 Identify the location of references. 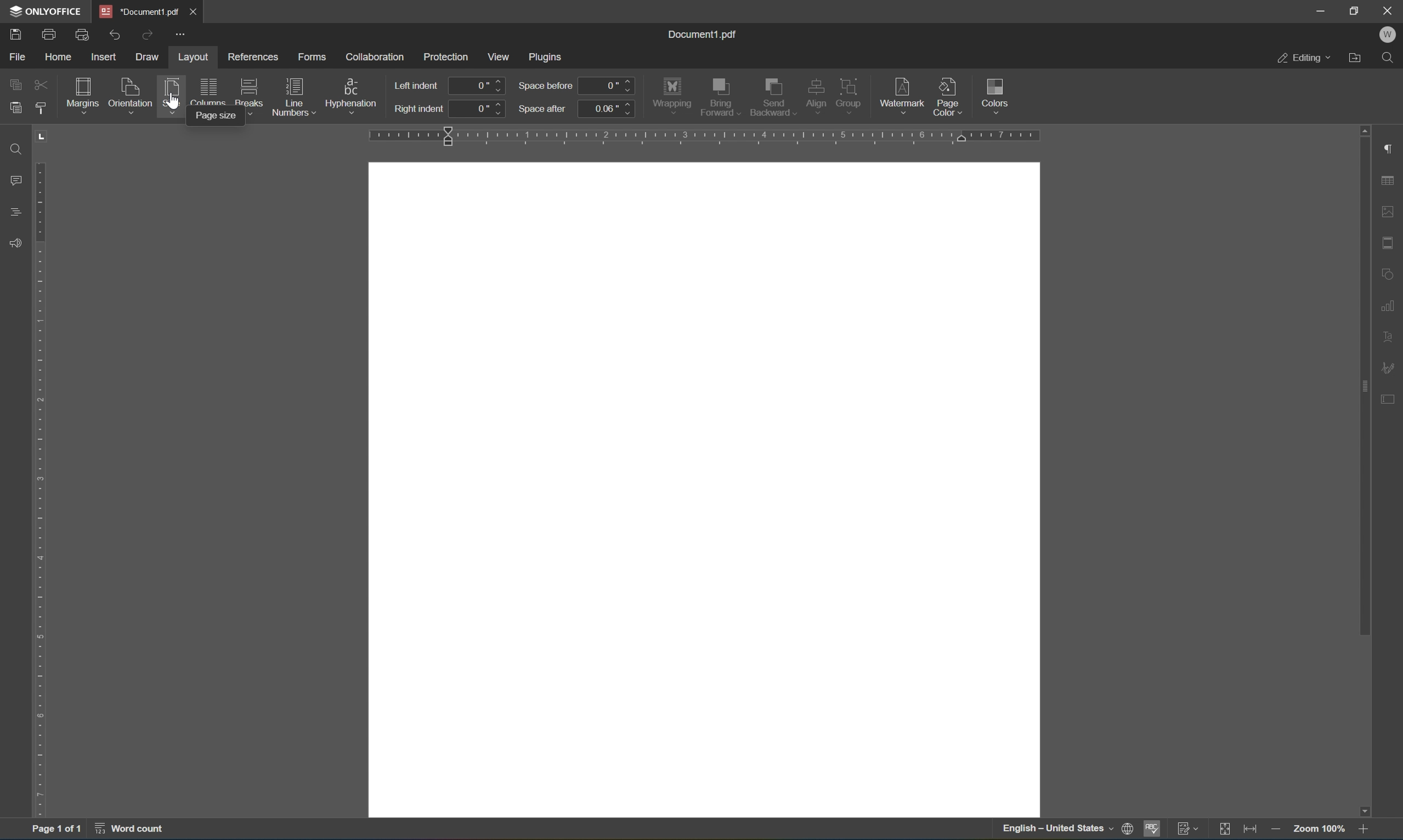
(254, 58).